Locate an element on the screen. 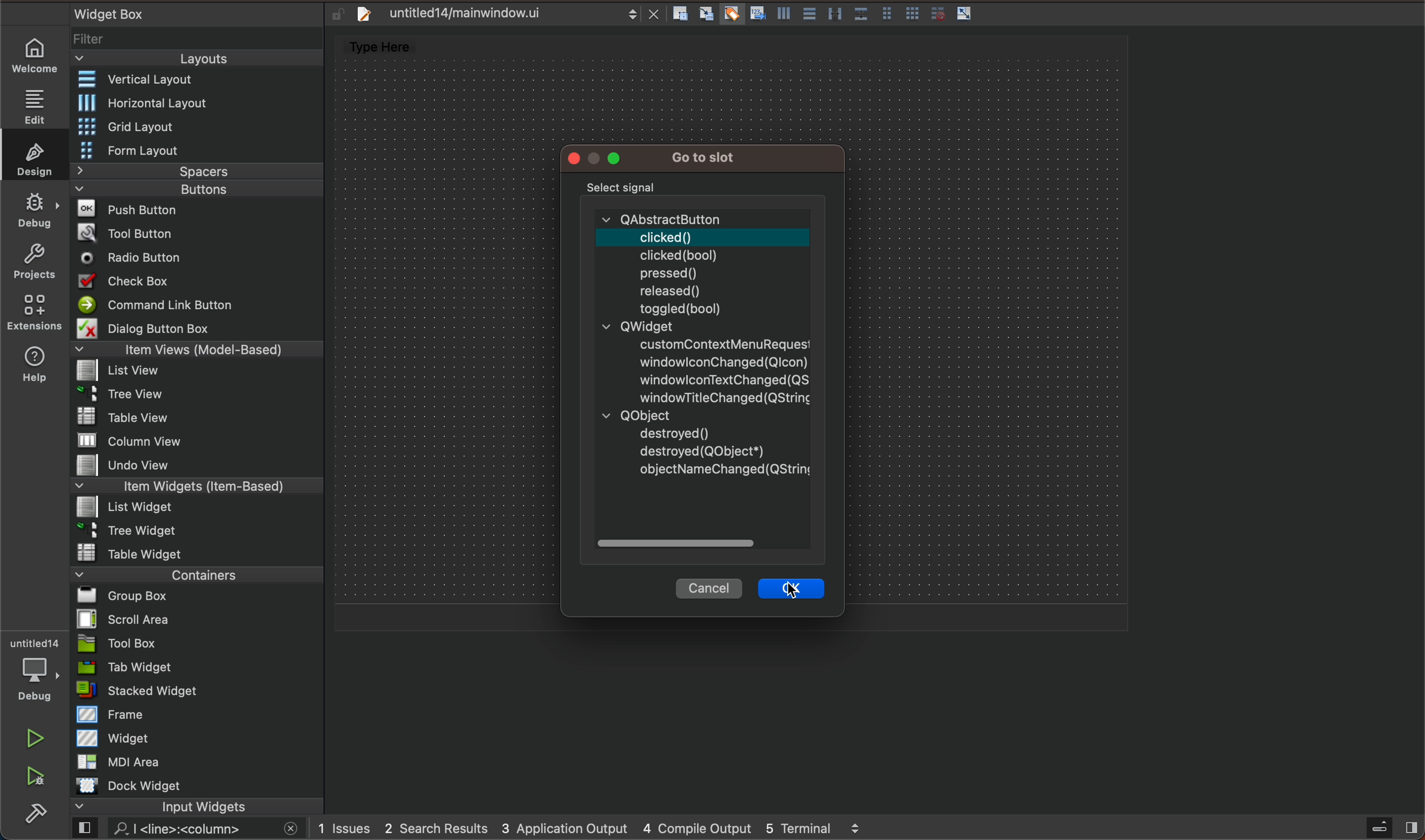 The width and height of the screenshot is (1425, 840). ok is located at coordinates (790, 589).